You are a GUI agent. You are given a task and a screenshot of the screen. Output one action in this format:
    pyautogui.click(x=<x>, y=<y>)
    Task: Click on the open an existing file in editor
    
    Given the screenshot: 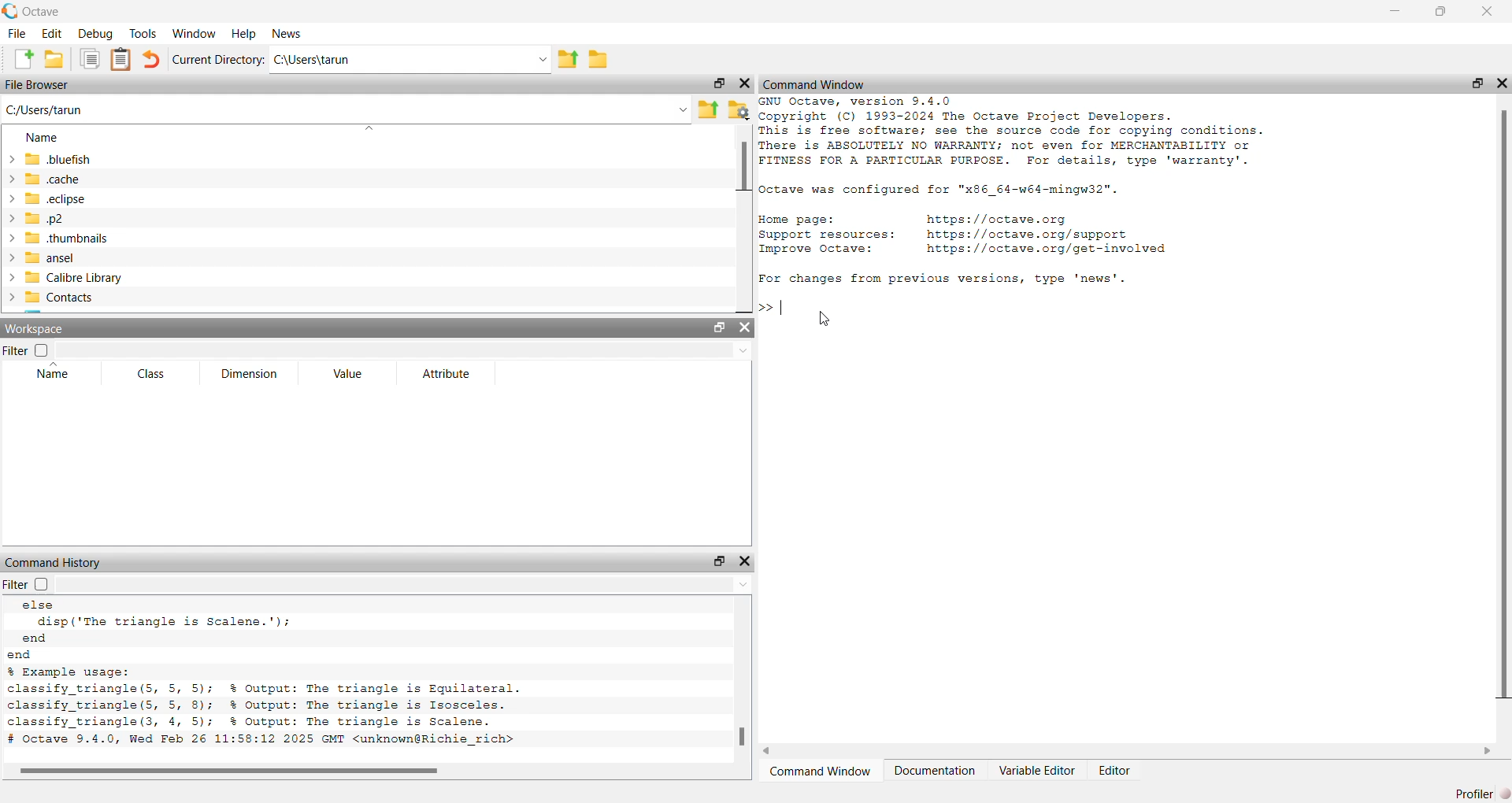 What is the action you would take?
    pyautogui.click(x=54, y=59)
    